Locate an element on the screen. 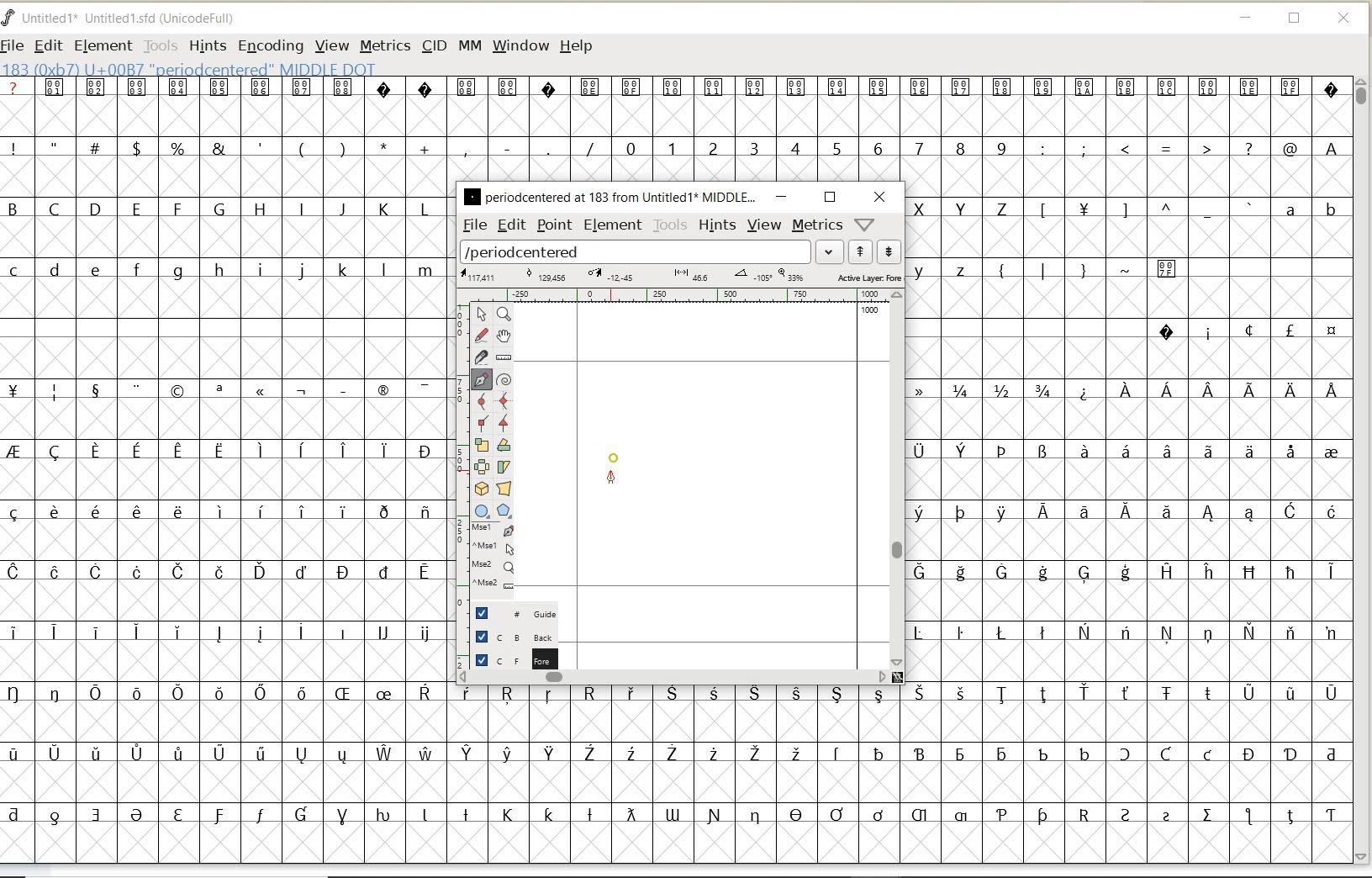 This screenshot has width=1372, height=878.  is located at coordinates (1143, 211).